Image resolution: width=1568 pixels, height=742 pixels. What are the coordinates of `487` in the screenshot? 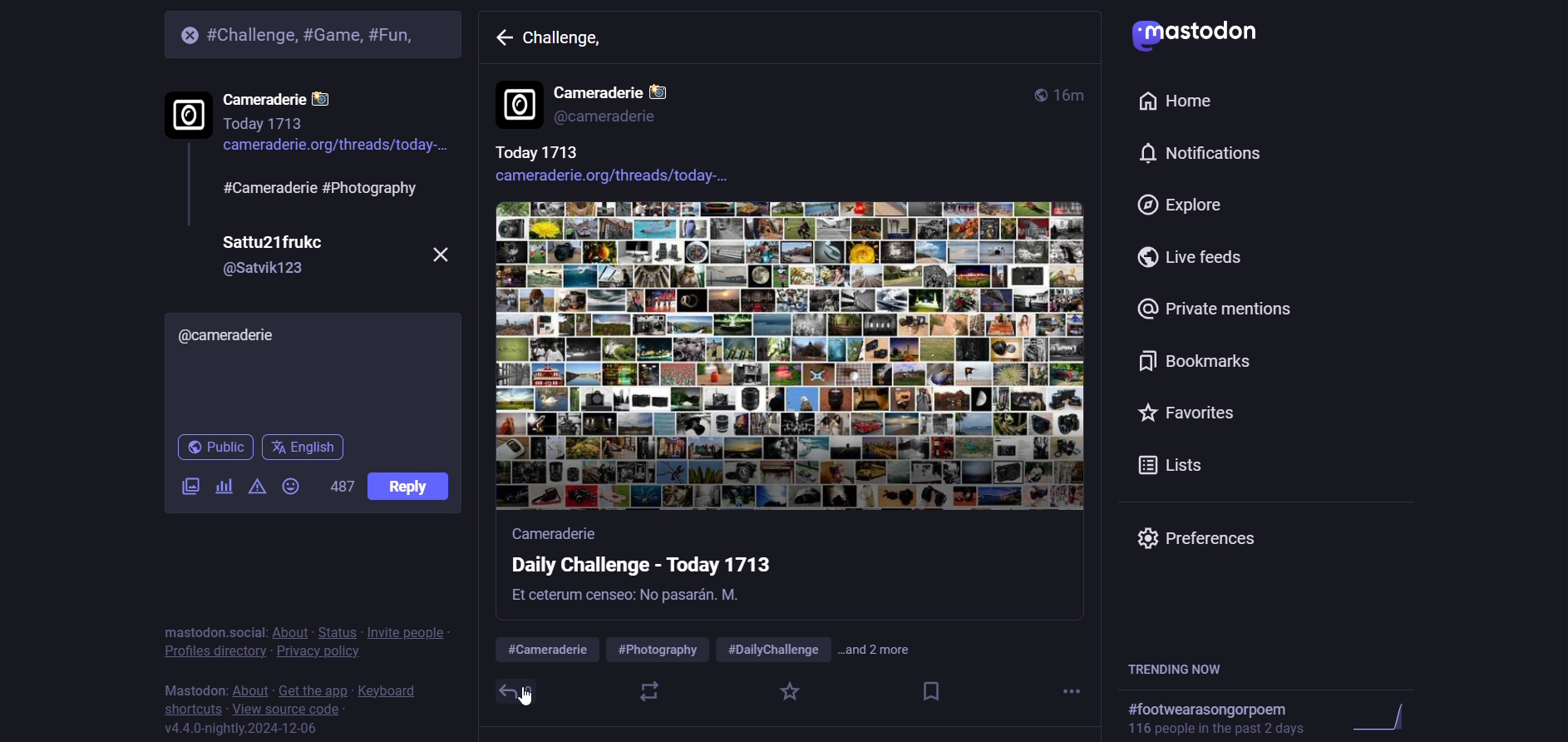 It's located at (342, 486).